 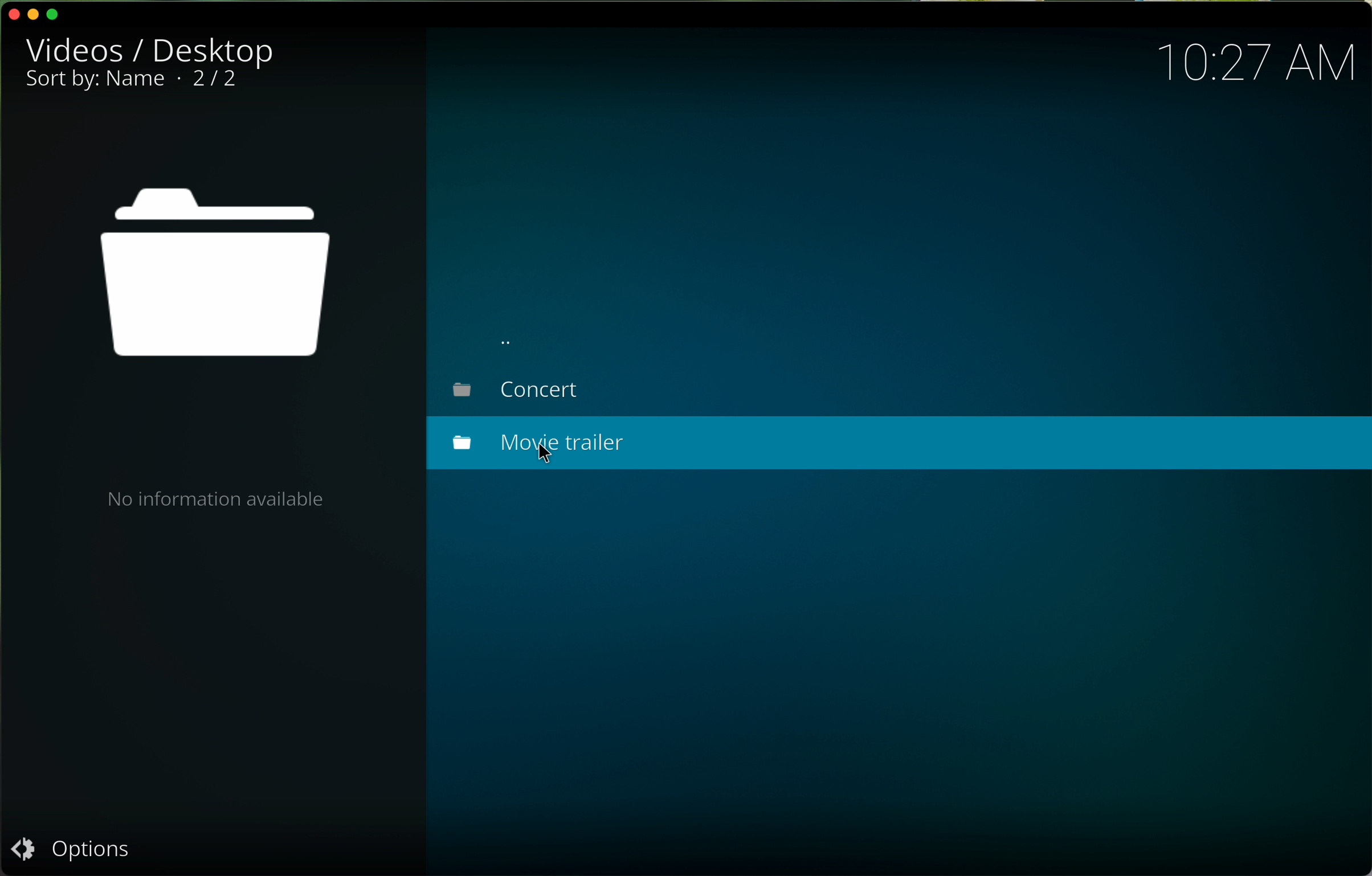 I want to click on 2/2, so click(x=217, y=78).